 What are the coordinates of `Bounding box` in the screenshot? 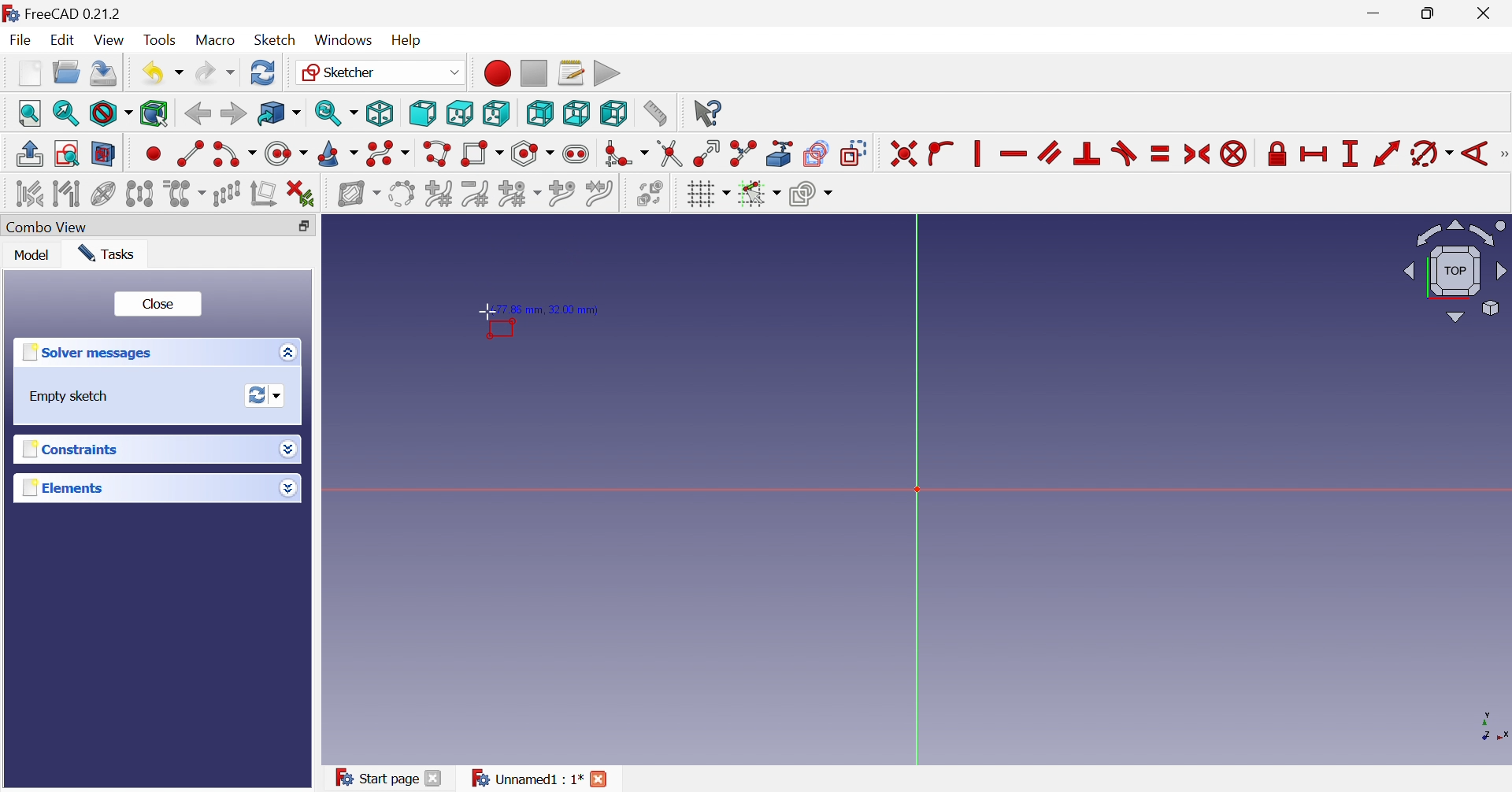 It's located at (154, 114).